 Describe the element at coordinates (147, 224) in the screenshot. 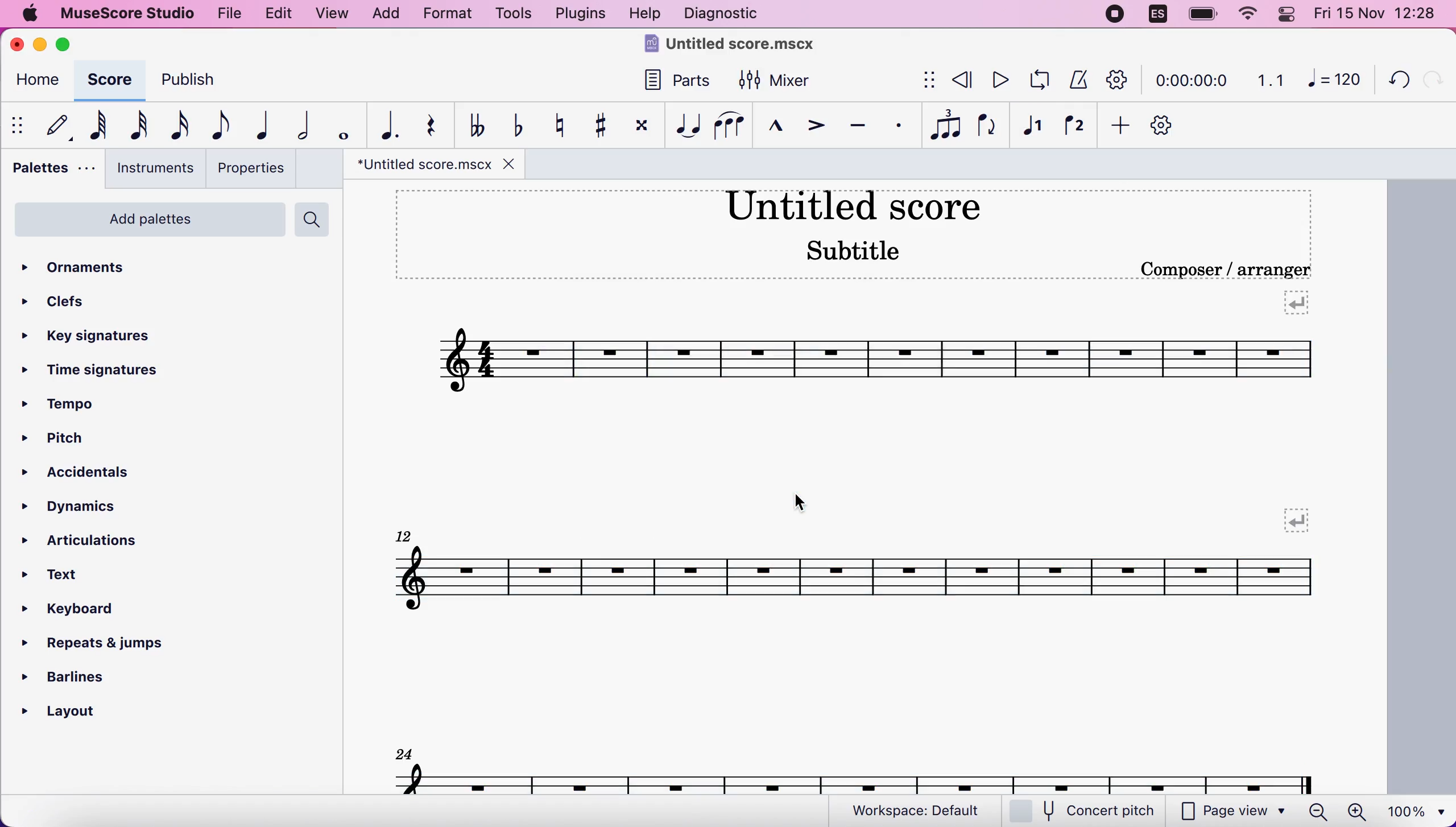

I see `add palettes` at that location.